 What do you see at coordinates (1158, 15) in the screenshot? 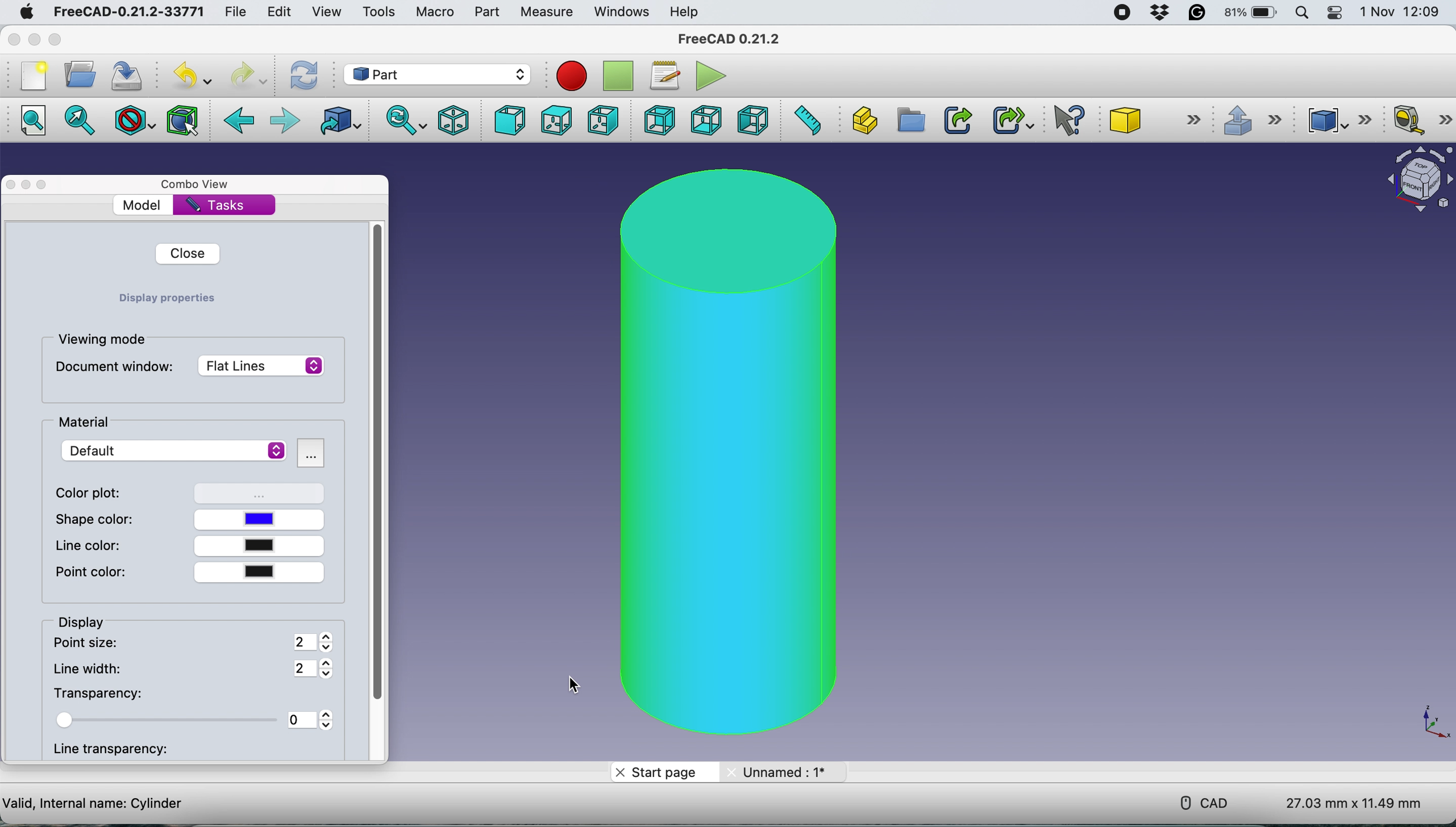
I see `dropbox` at bounding box center [1158, 15].